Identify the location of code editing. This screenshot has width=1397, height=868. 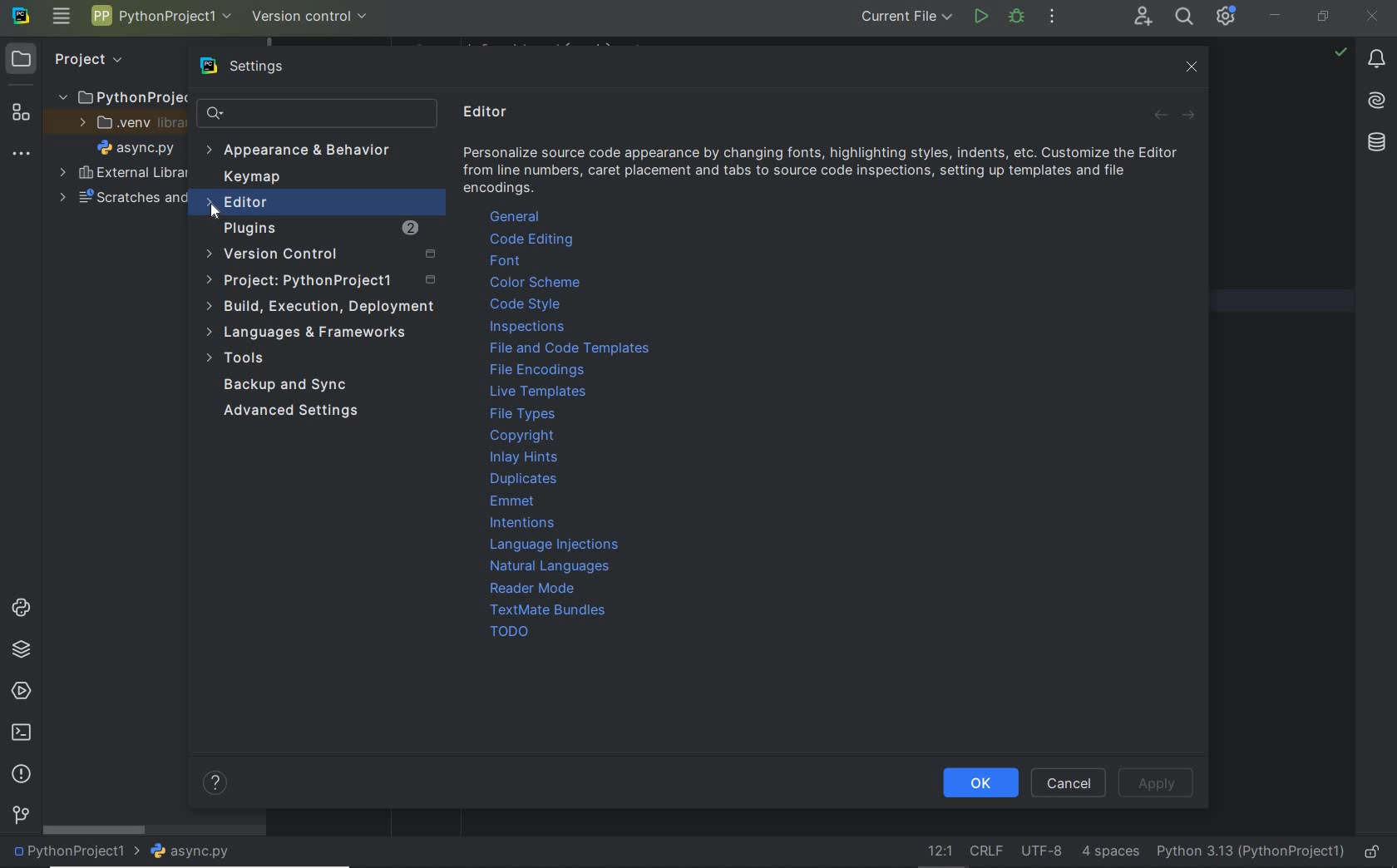
(531, 239).